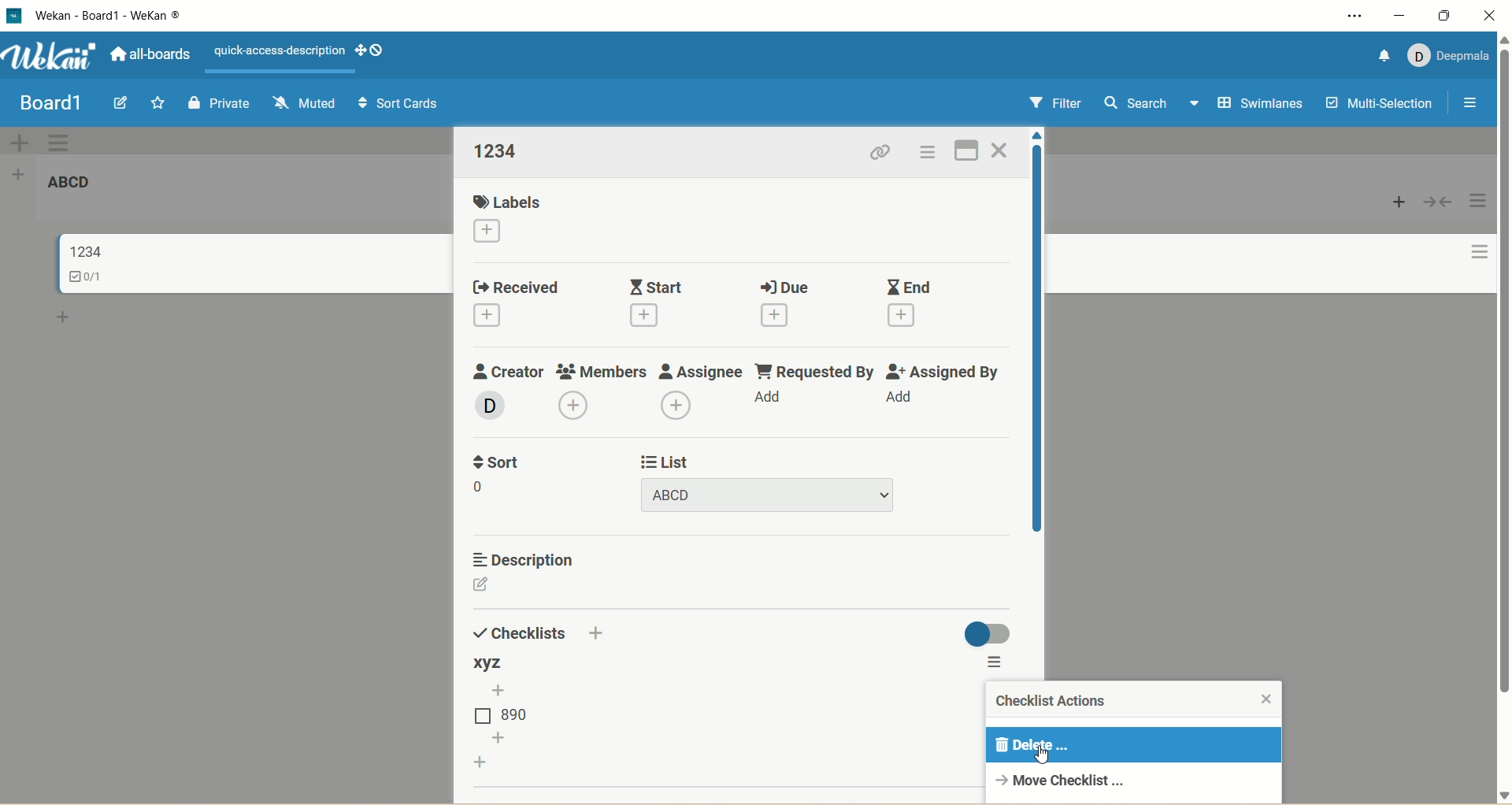  What do you see at coordinates (505, 151) in the screenshot?
I see `list title` at bounding box center [505, 151].